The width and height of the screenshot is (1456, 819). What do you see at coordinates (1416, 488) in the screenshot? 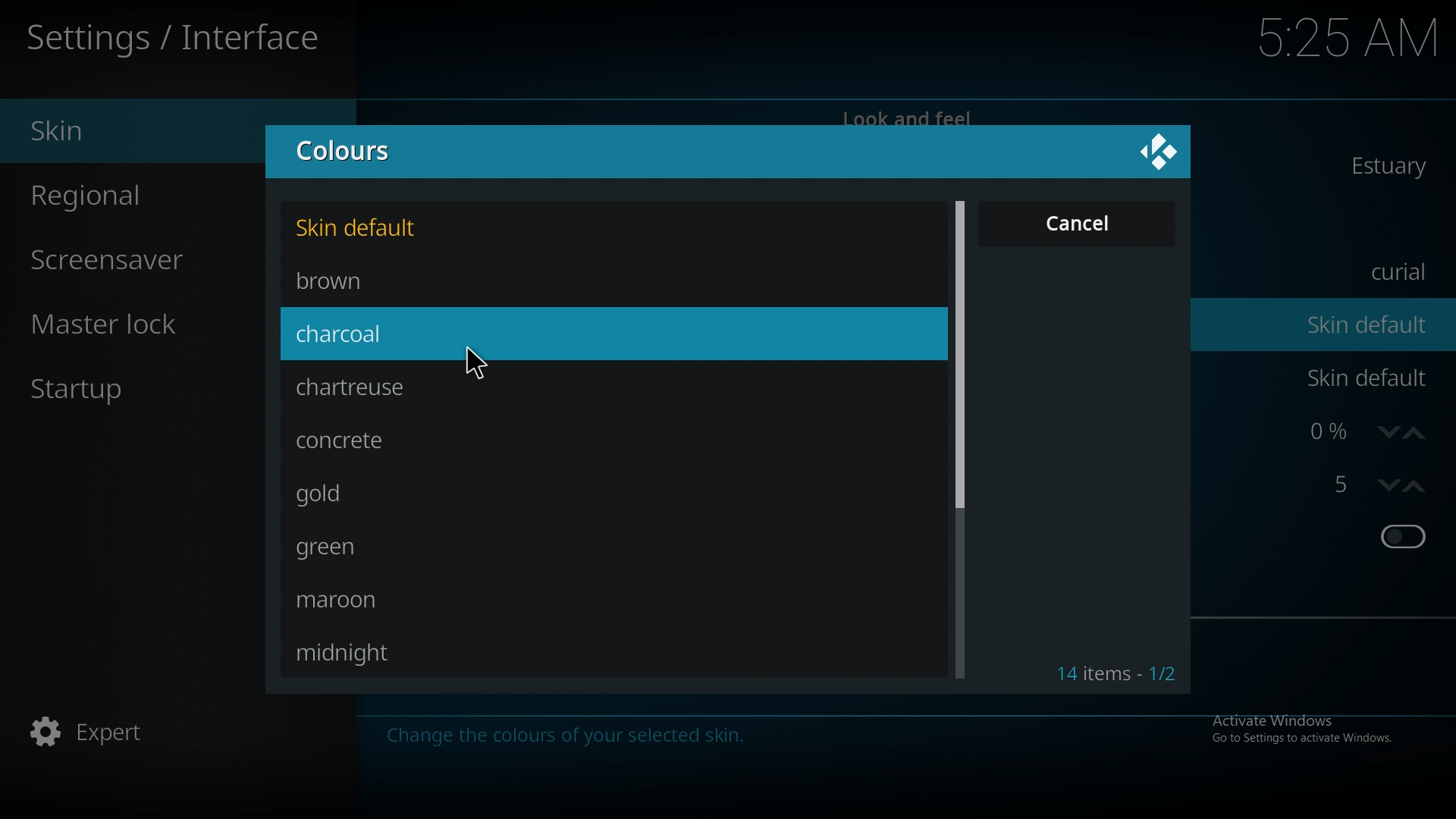
I see `increase` at bounding box center [1416, 488].